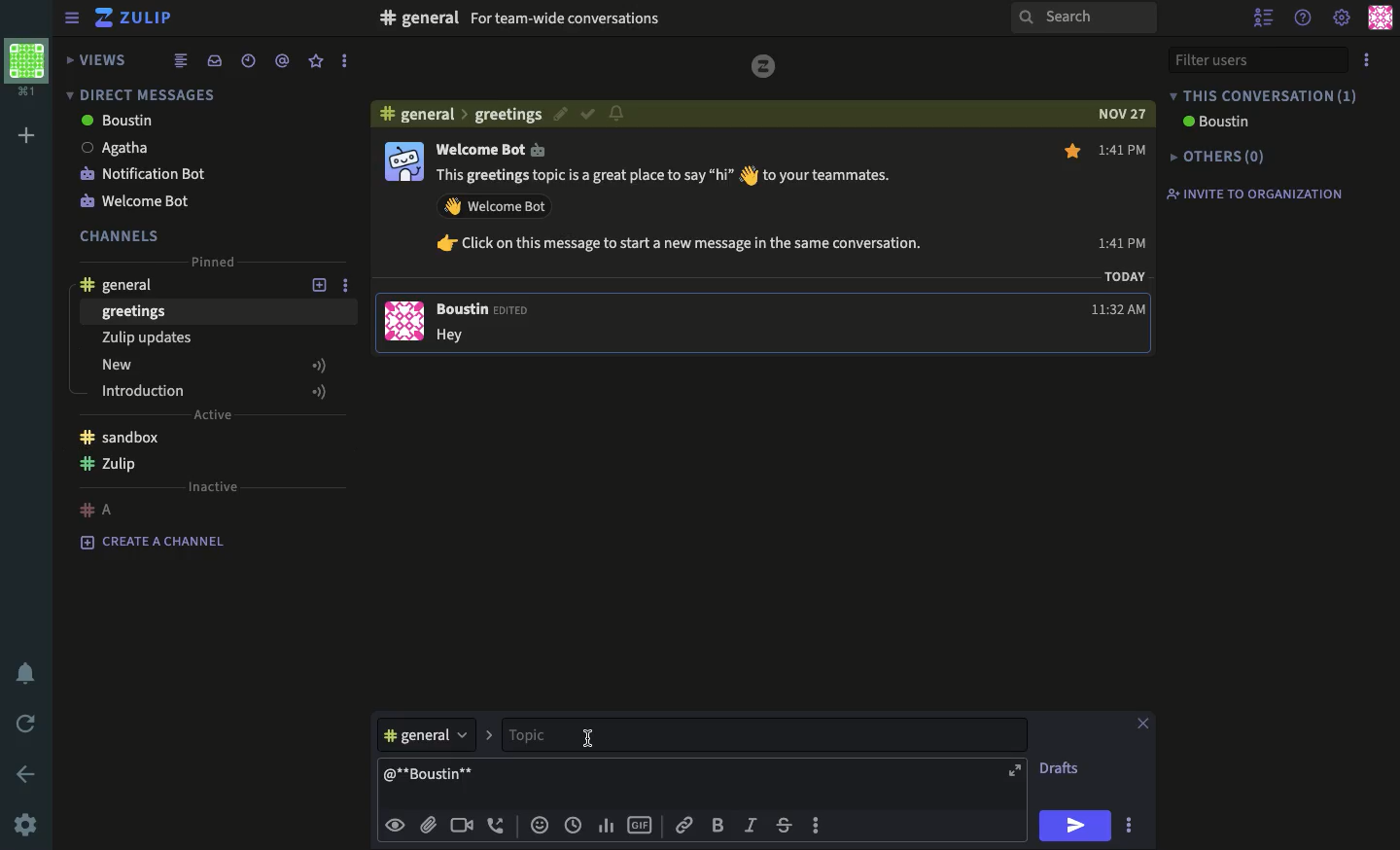  What do you see at coordinates (424, 116) in the screenshot?
I see `general` at bounding box center [424, 116].